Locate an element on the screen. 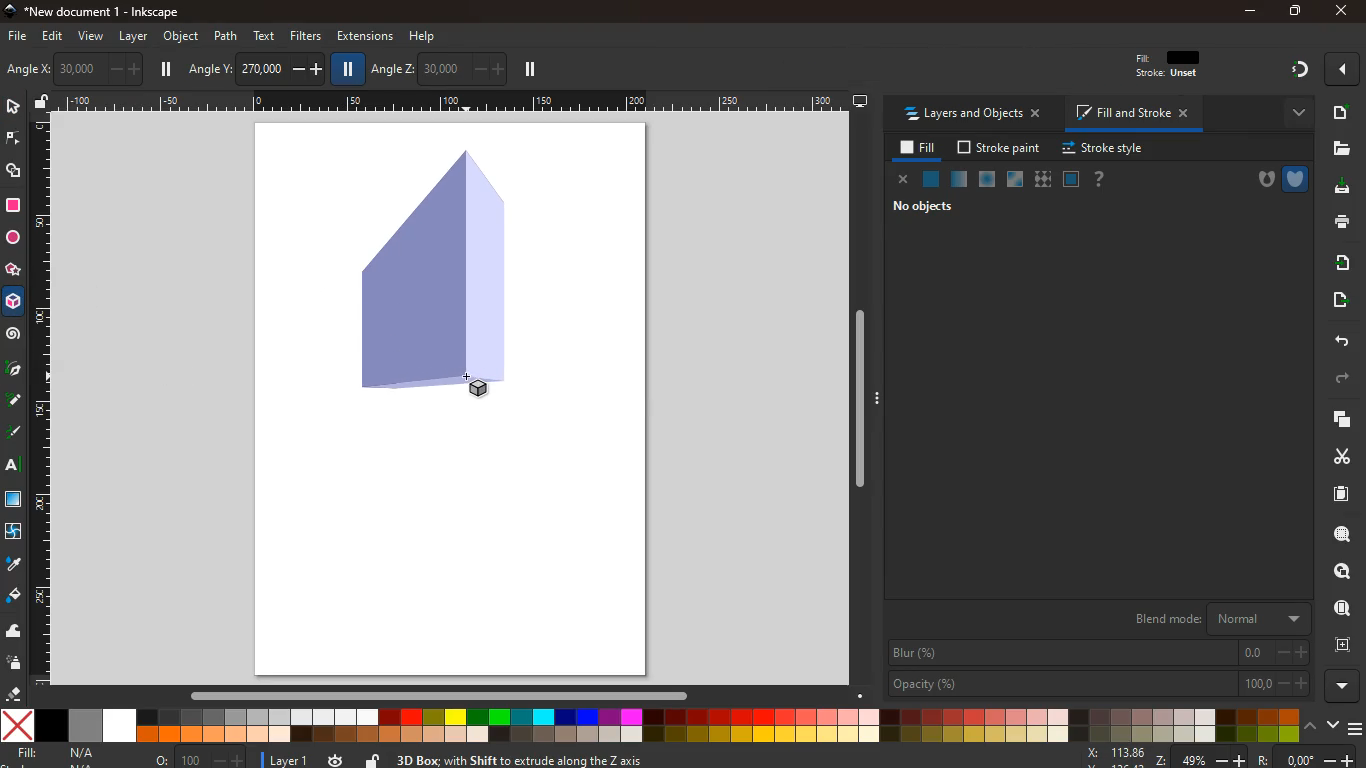  receive is located at coordinates (1336, 262).